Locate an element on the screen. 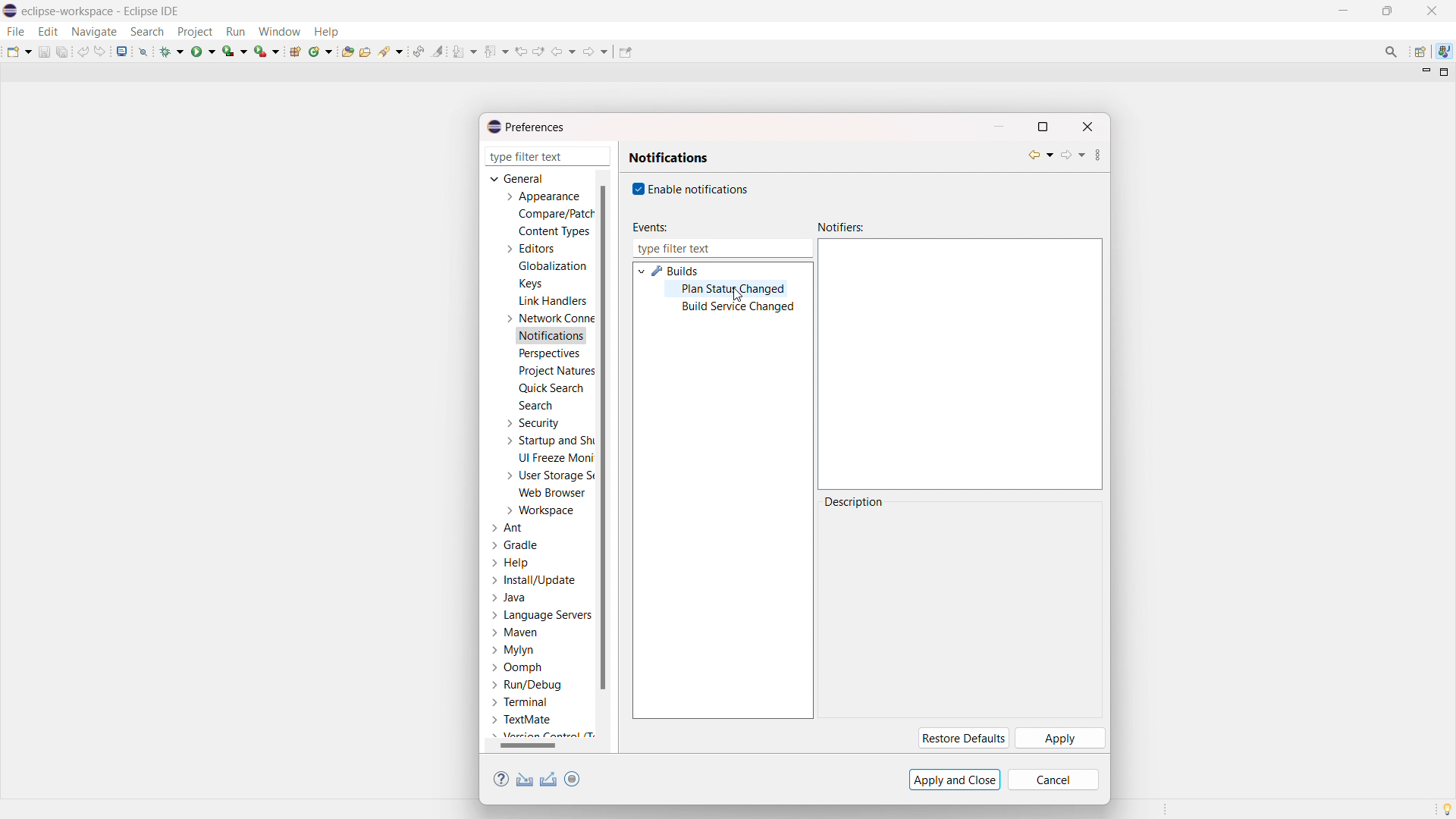 This screenshot has height=819, width=1456. run is located at coordinates (203, 51).